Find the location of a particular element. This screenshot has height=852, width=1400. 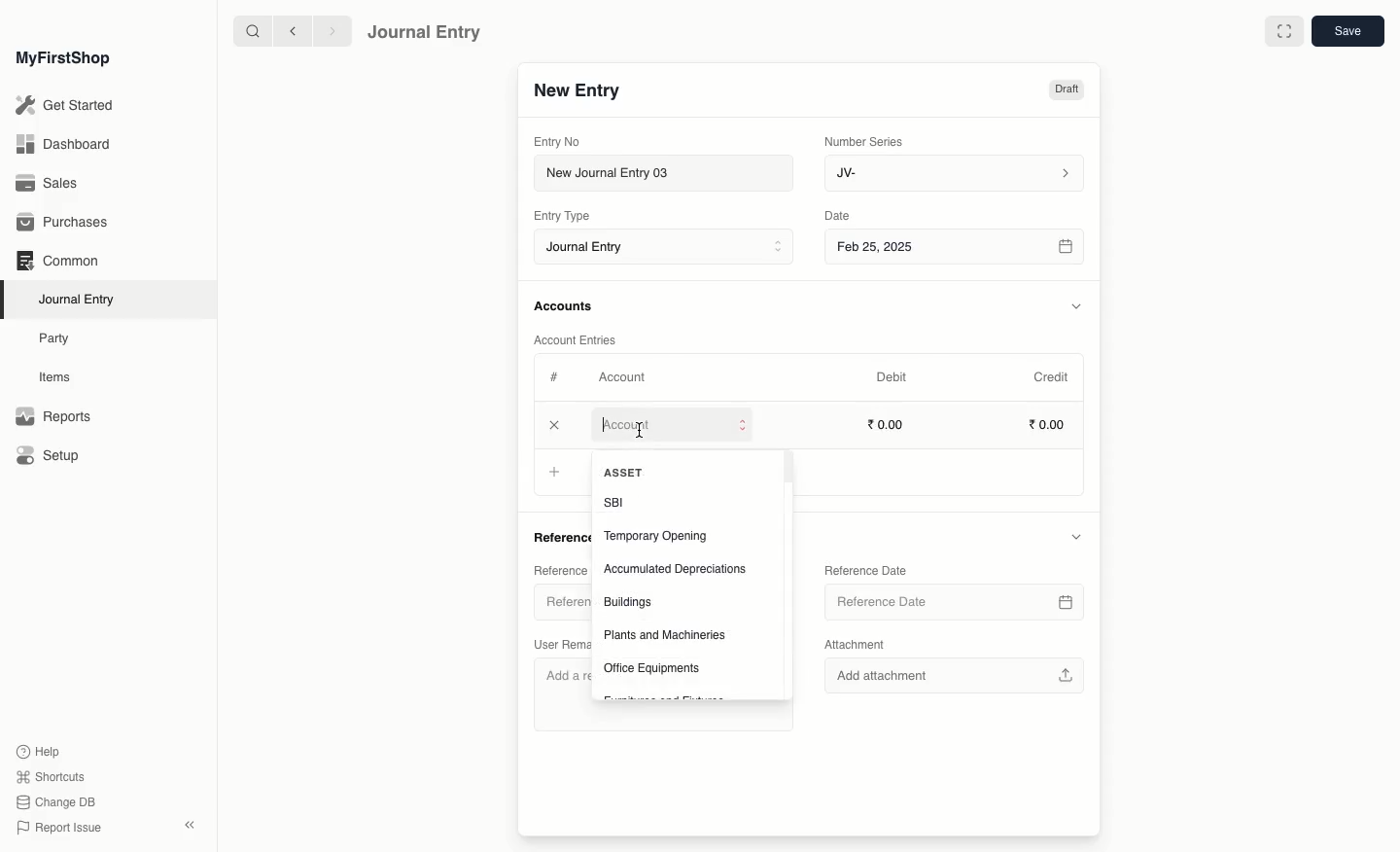

Journal Entry is located at coordinates (669, 248).